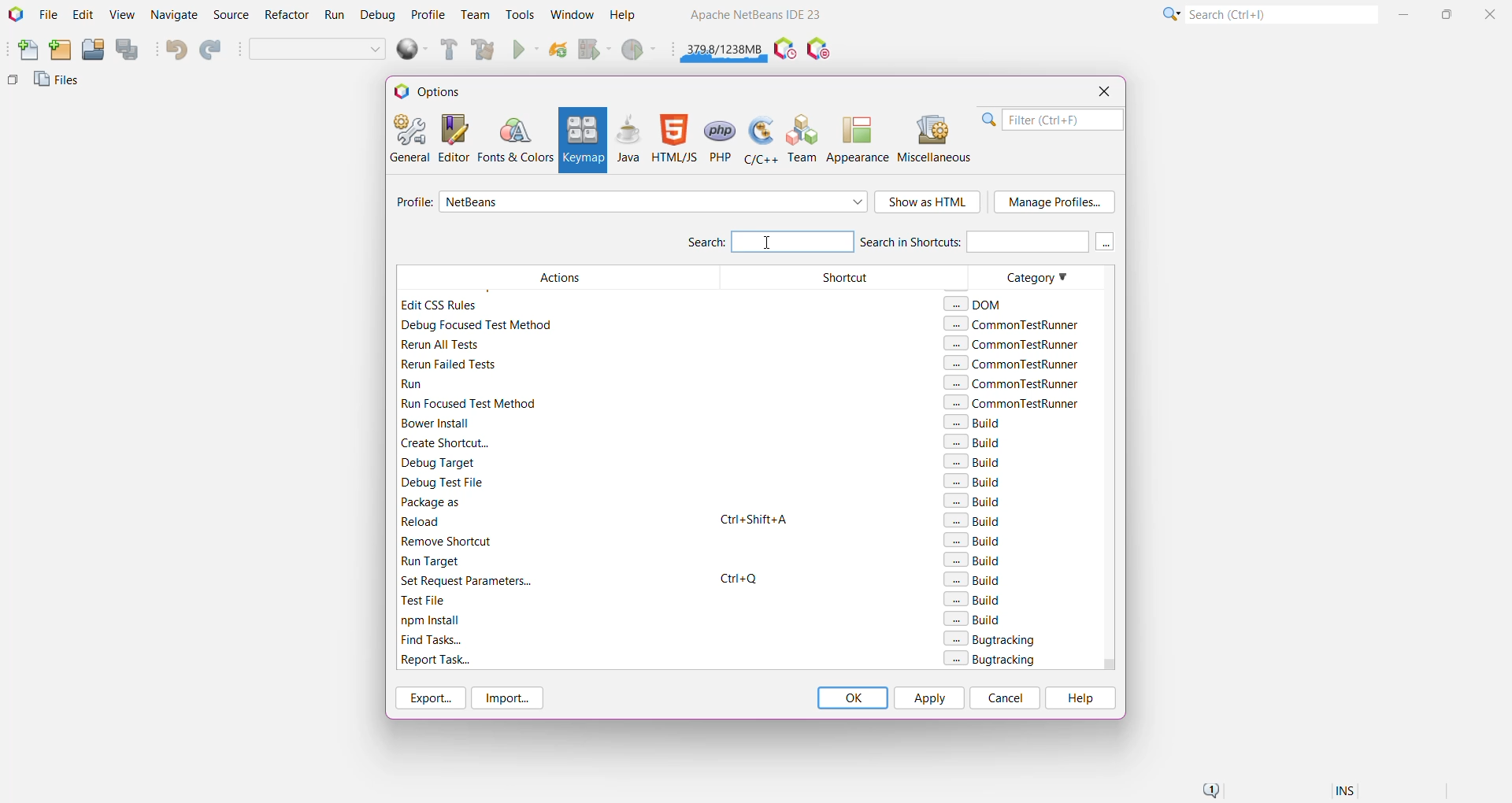 The image size is (1512, 803). Describe the element at coordinates (558, 51) in the screenshot. I see `Reload` at that location.